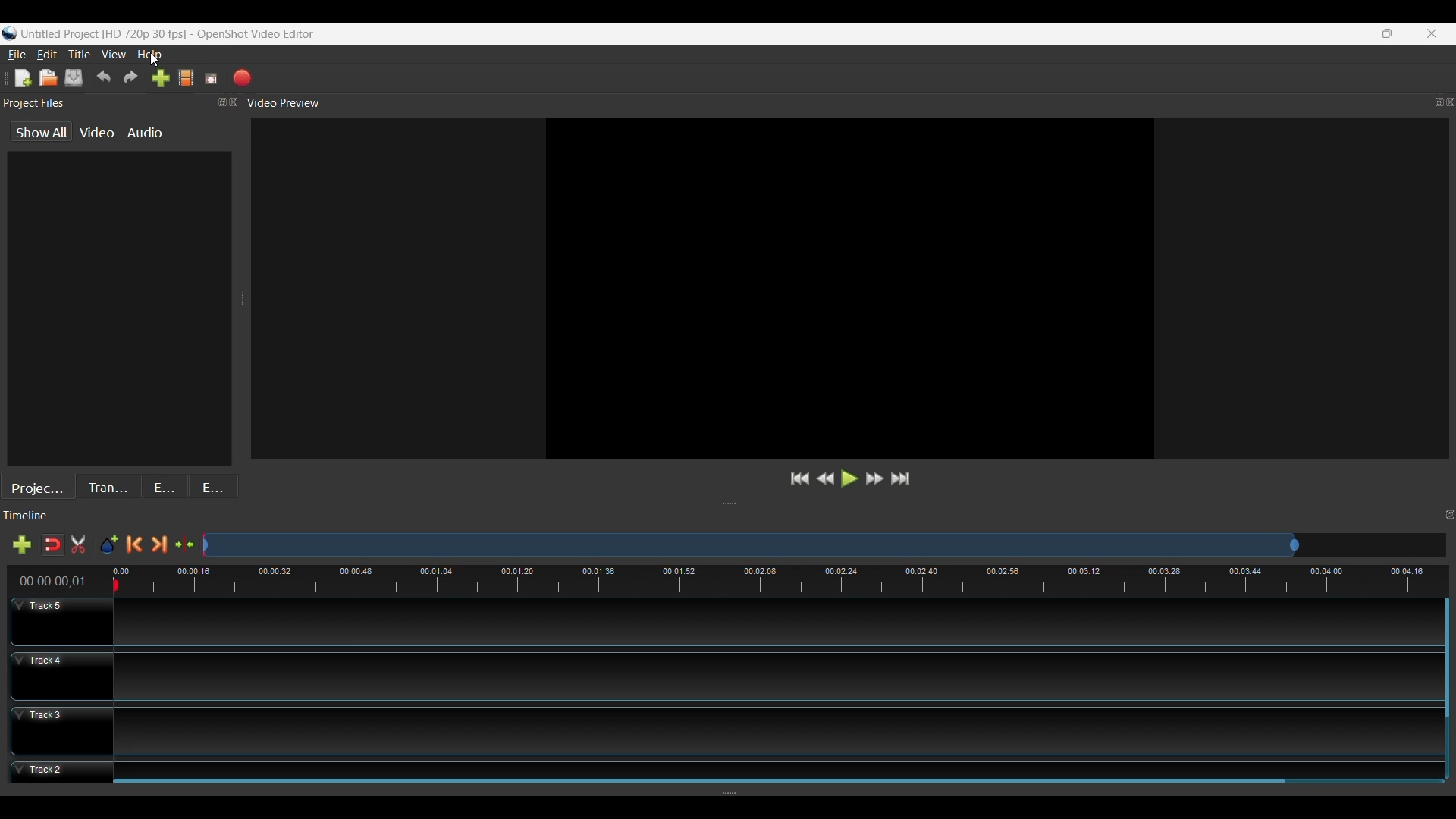  I want to click on Openshot Video Editor, so click(262, 35).